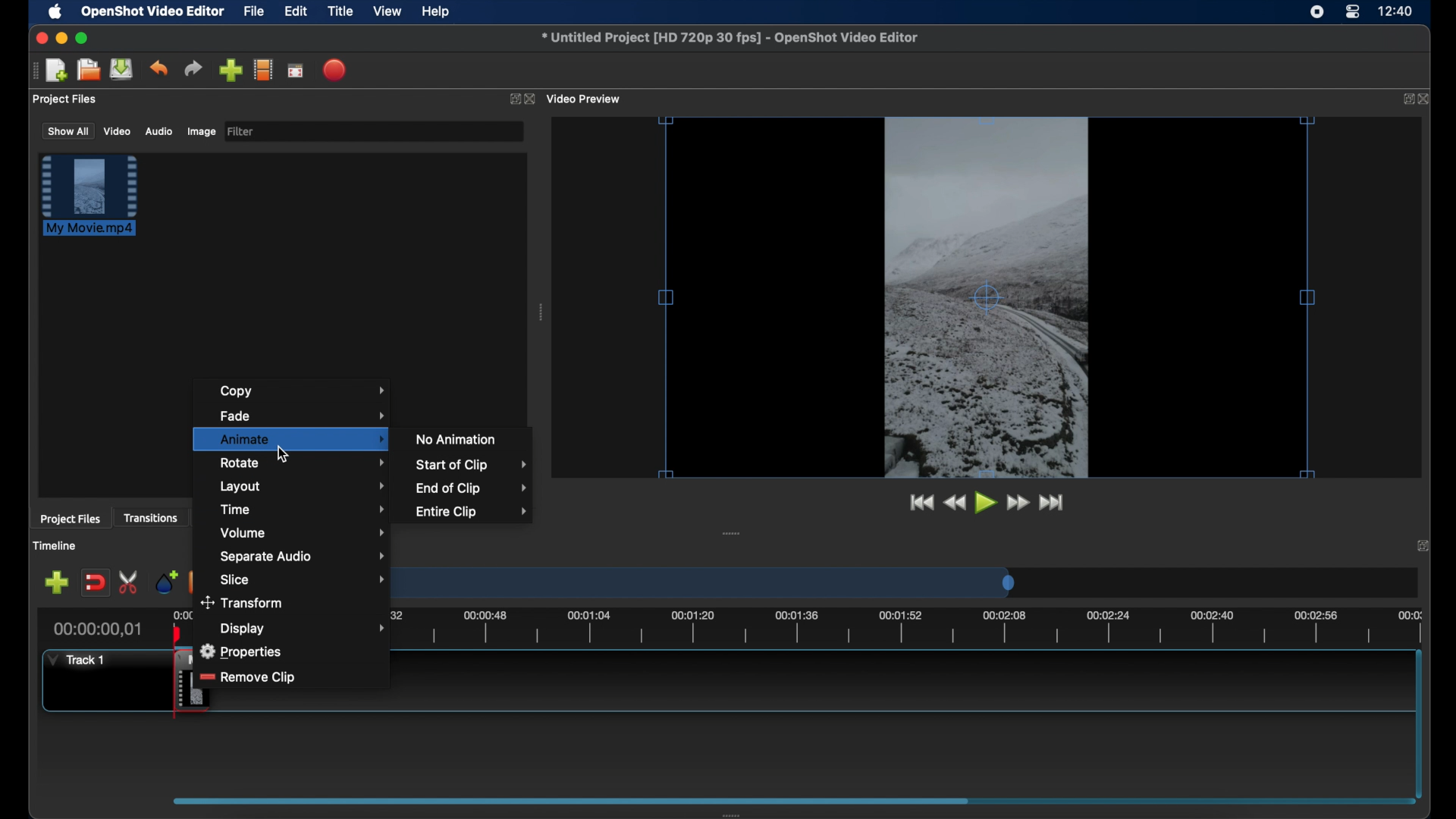 Image resolution: width=1456 pixels, height=819 pixels. I want to click on slice menu, so click(304, 579).